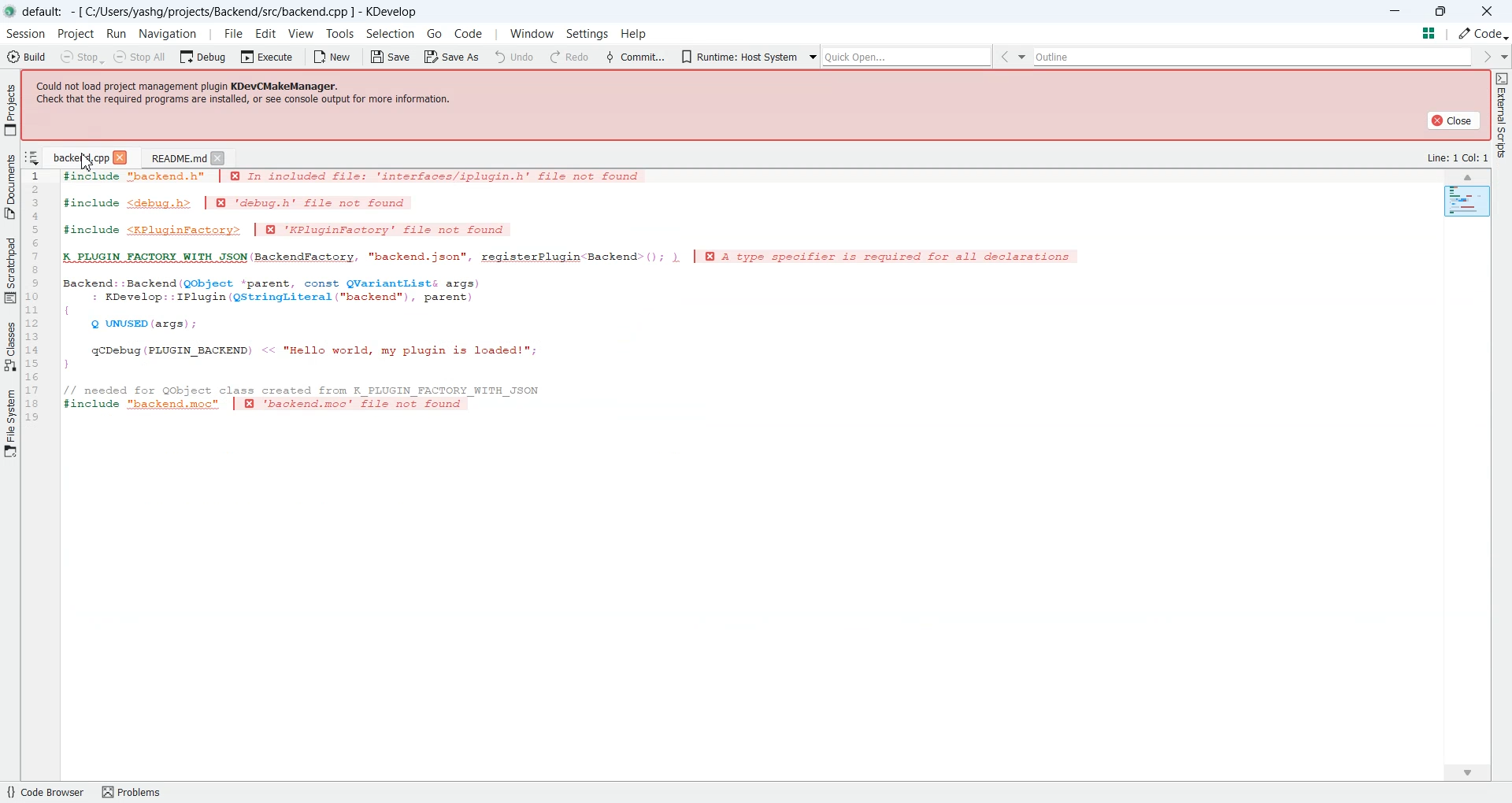  Describe the element at coordinates (390, 36) in the screenshot. I see `selection ` at that location.